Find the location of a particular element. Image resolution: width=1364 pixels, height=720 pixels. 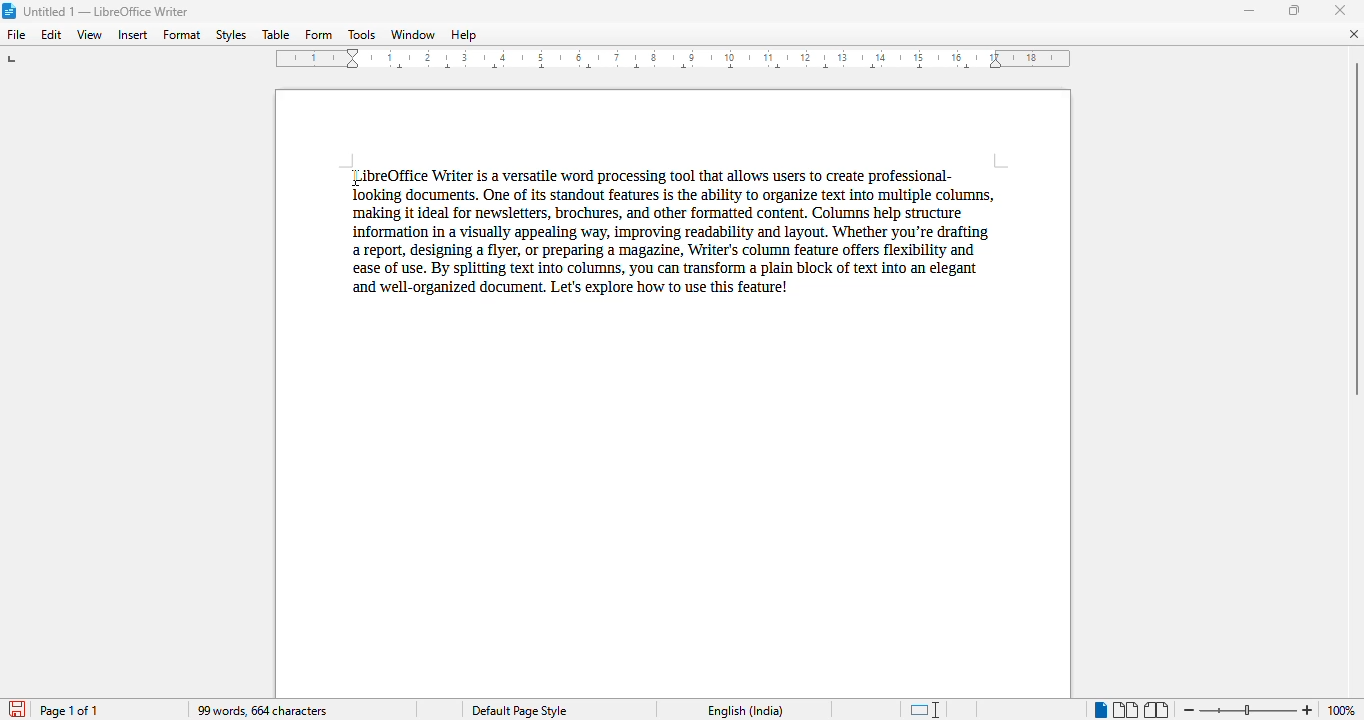

vertical scroll bar is located at coordinates (1357, 228).